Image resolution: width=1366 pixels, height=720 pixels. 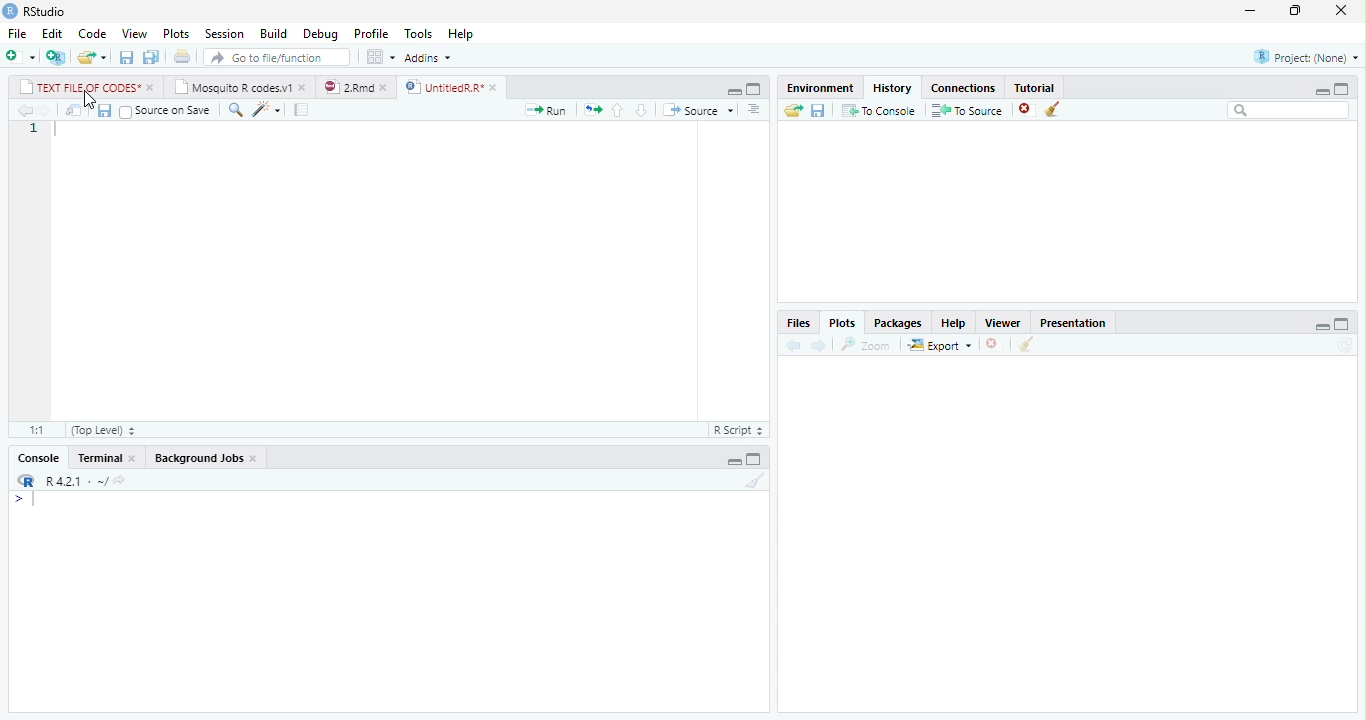 What do you see at coordinates (793, 346) in the screenshot?
I see `back` at bounding box center [793, 346].